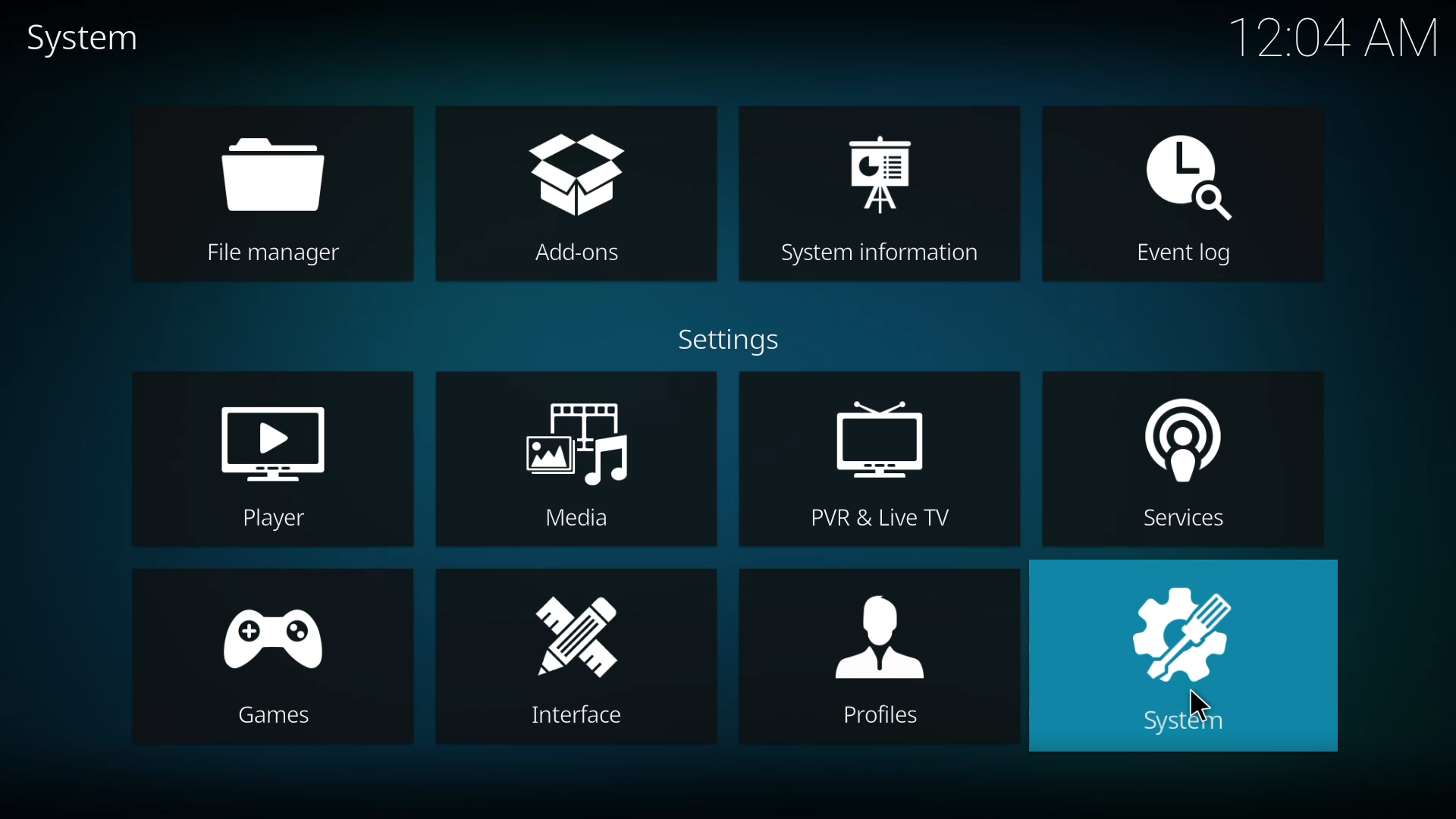  I want to click on games, so click(269, 658).